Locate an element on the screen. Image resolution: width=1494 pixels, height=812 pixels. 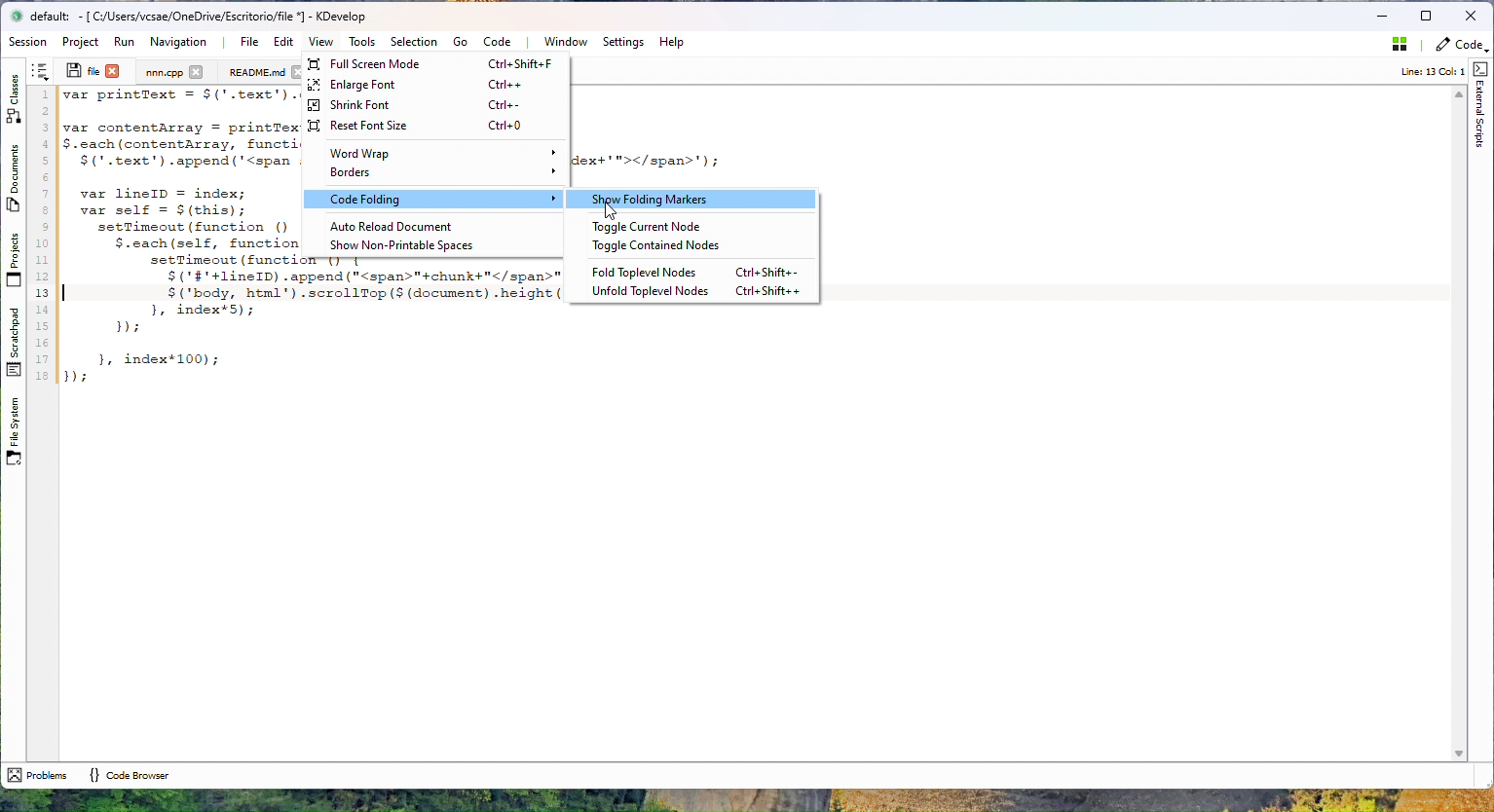
Stash is located at coordinates (1396, 48).